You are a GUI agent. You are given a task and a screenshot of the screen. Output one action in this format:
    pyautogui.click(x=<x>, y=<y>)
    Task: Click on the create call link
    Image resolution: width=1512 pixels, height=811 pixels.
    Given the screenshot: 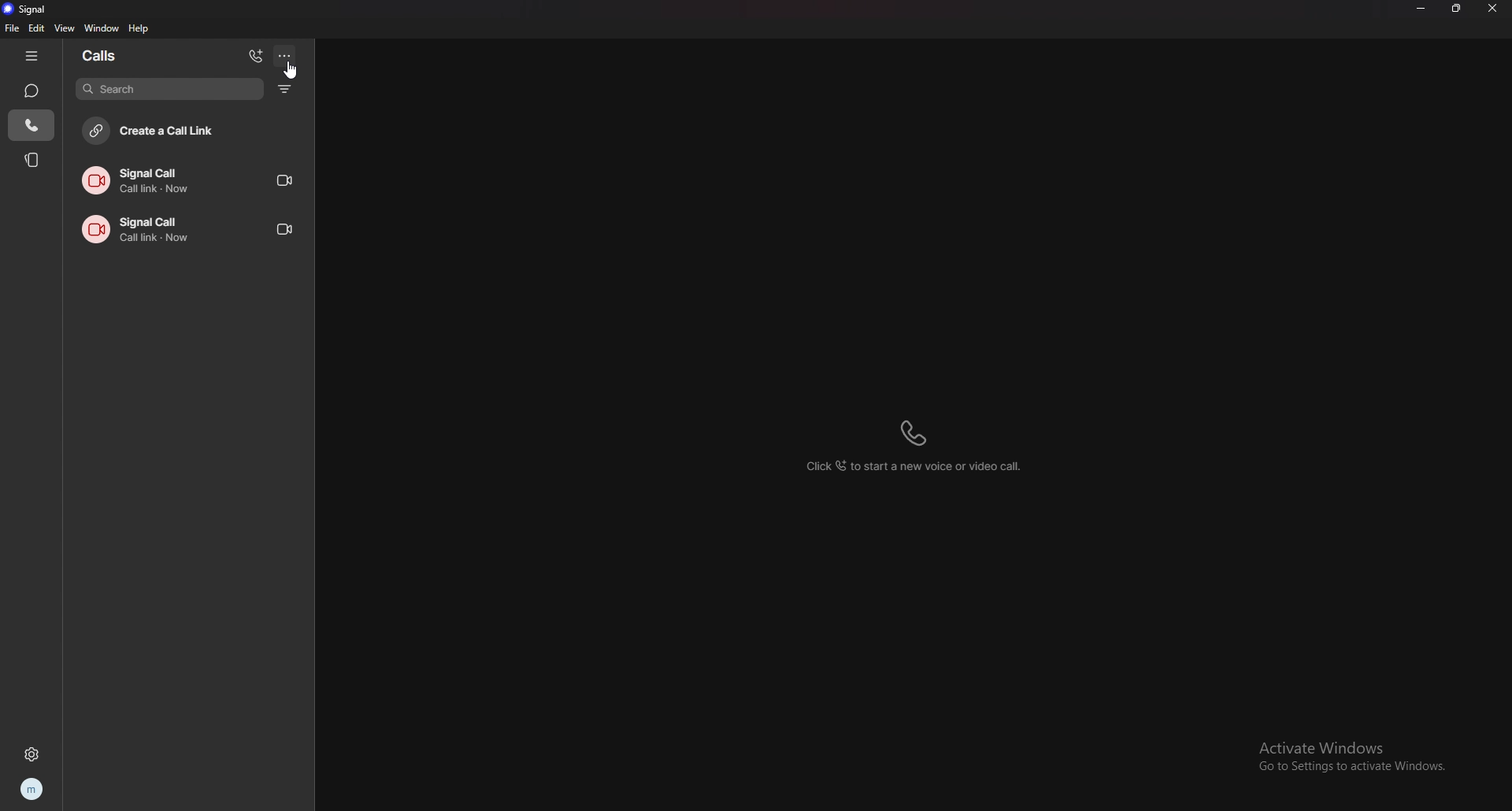 What is the action you would take?
    pyautogui.click(x=186, y=133)
    